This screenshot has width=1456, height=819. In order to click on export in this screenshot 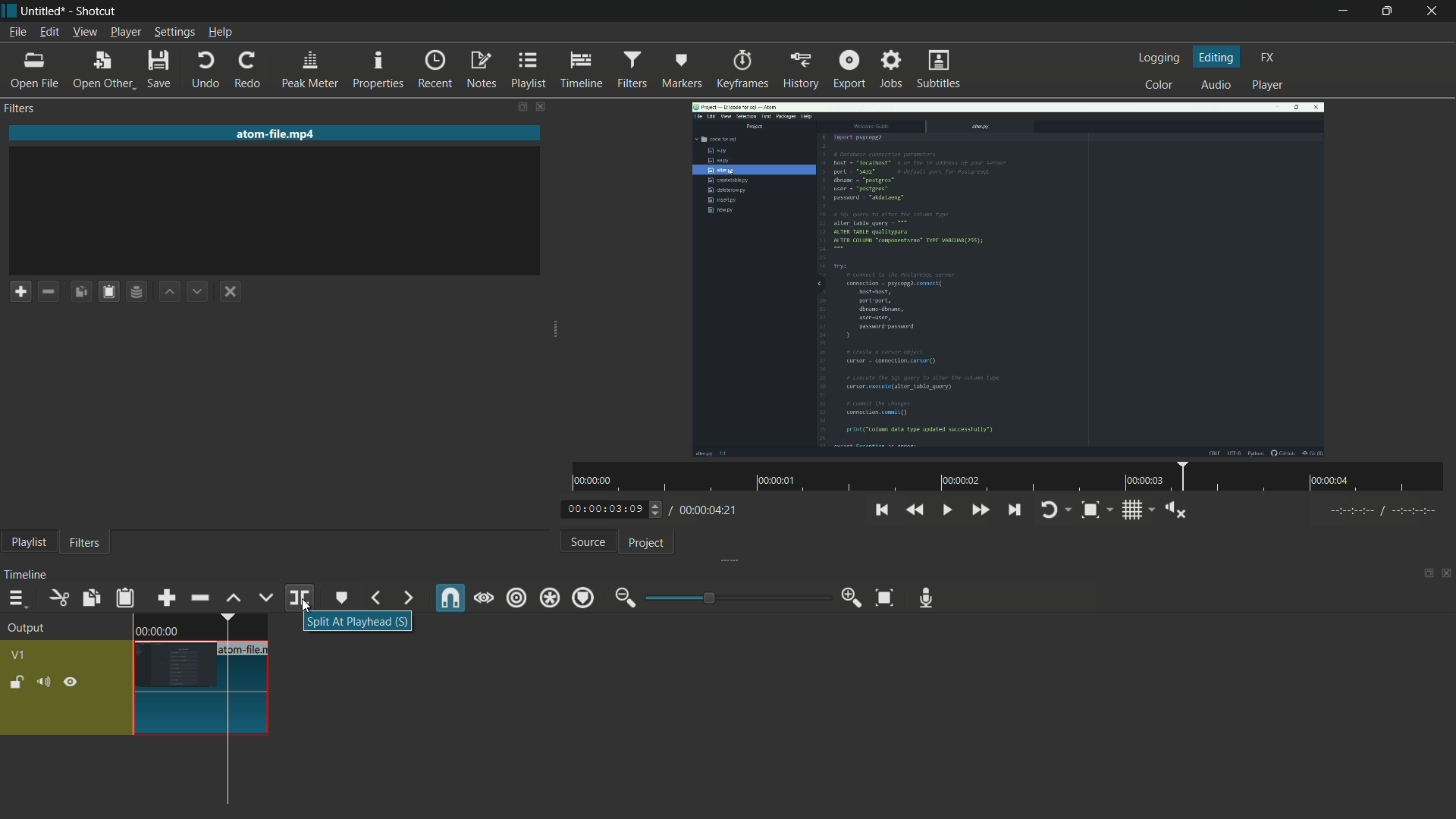, I will do `click(849, 71)`.